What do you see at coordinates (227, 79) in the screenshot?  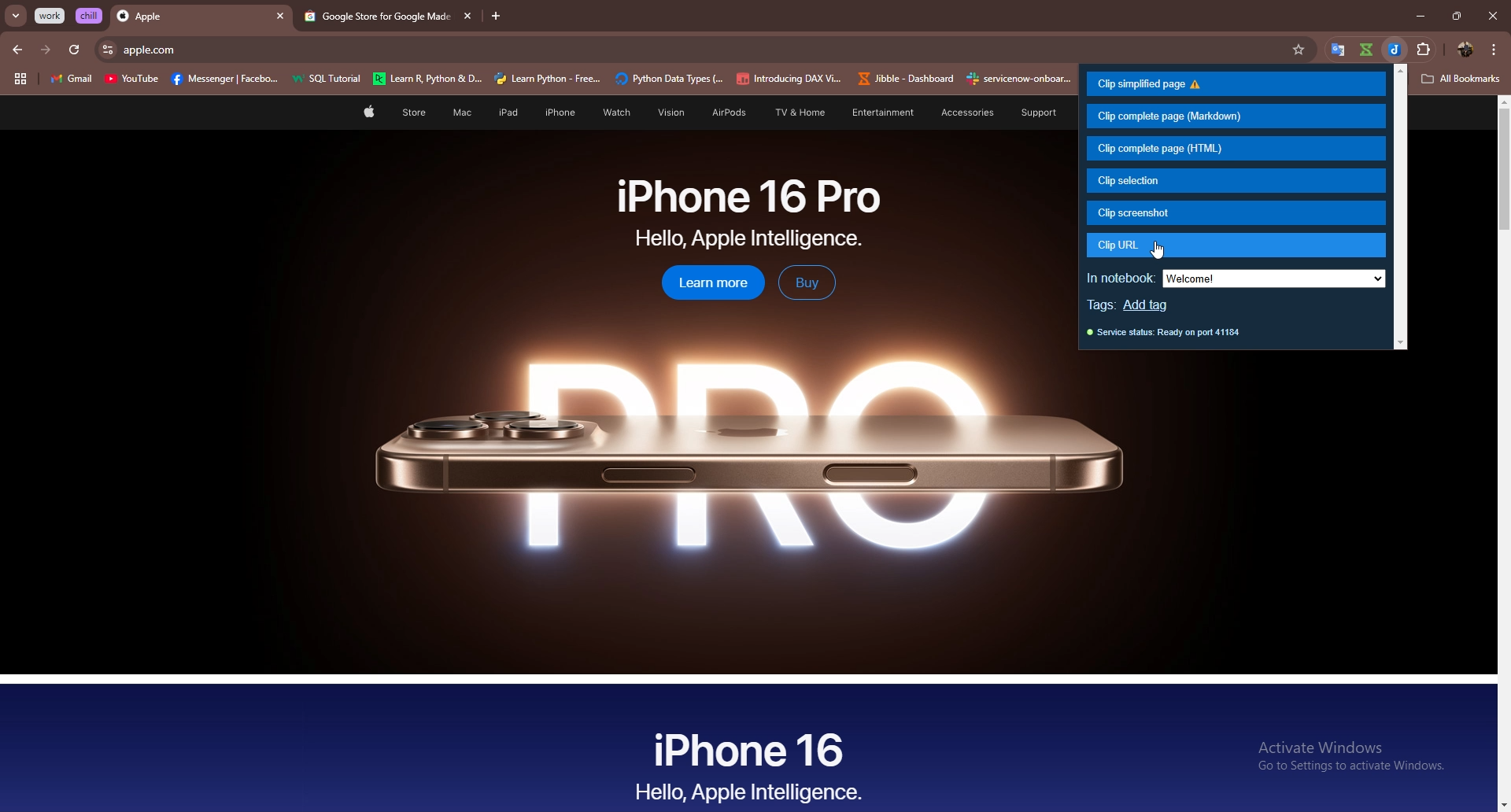 I see `Messenger|Faceb` at bounding box center [227, 79].